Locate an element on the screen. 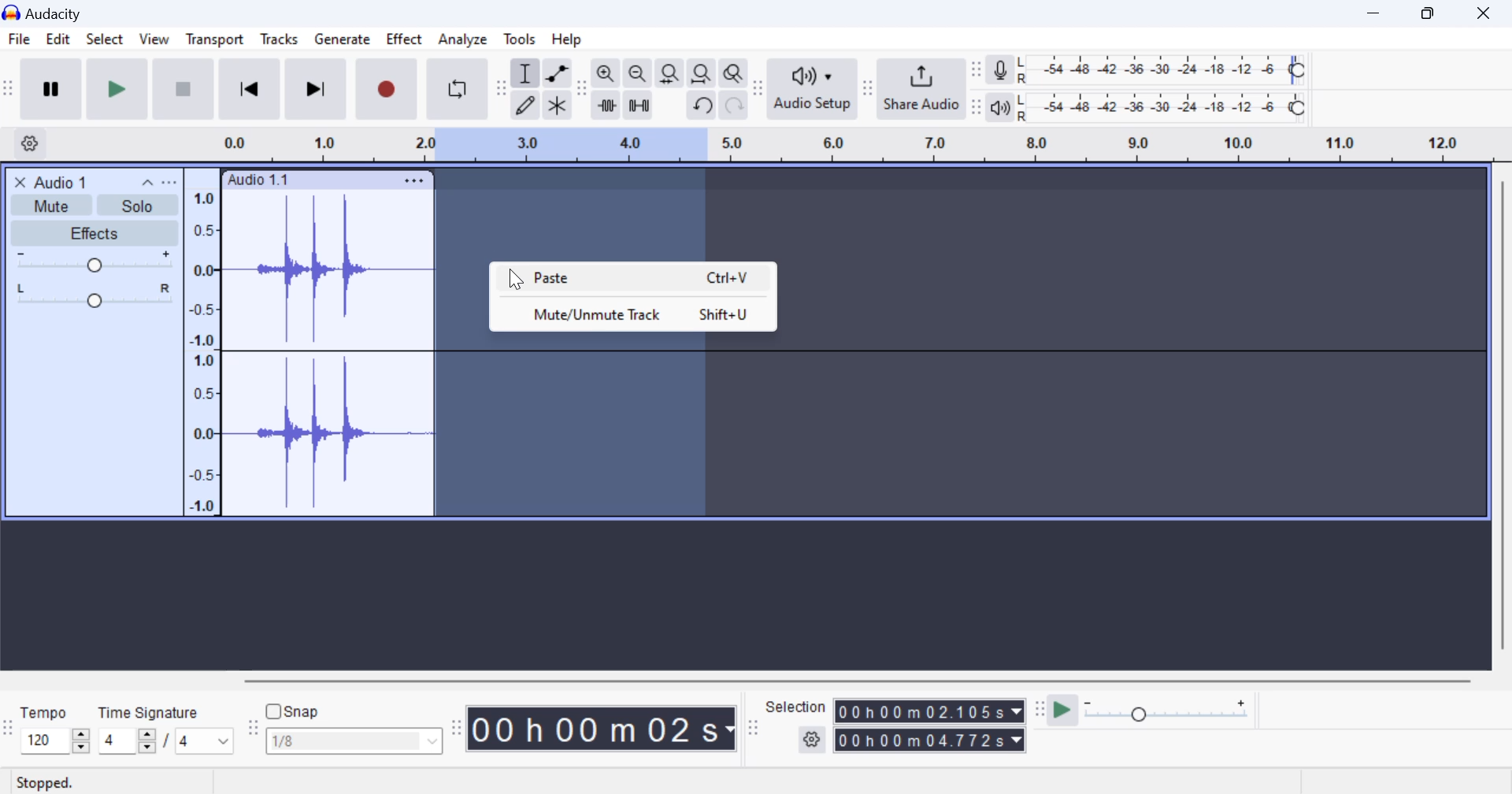 The height and width of the screenshot is (794, 1512). Volume is located at coordinates (91, 262).